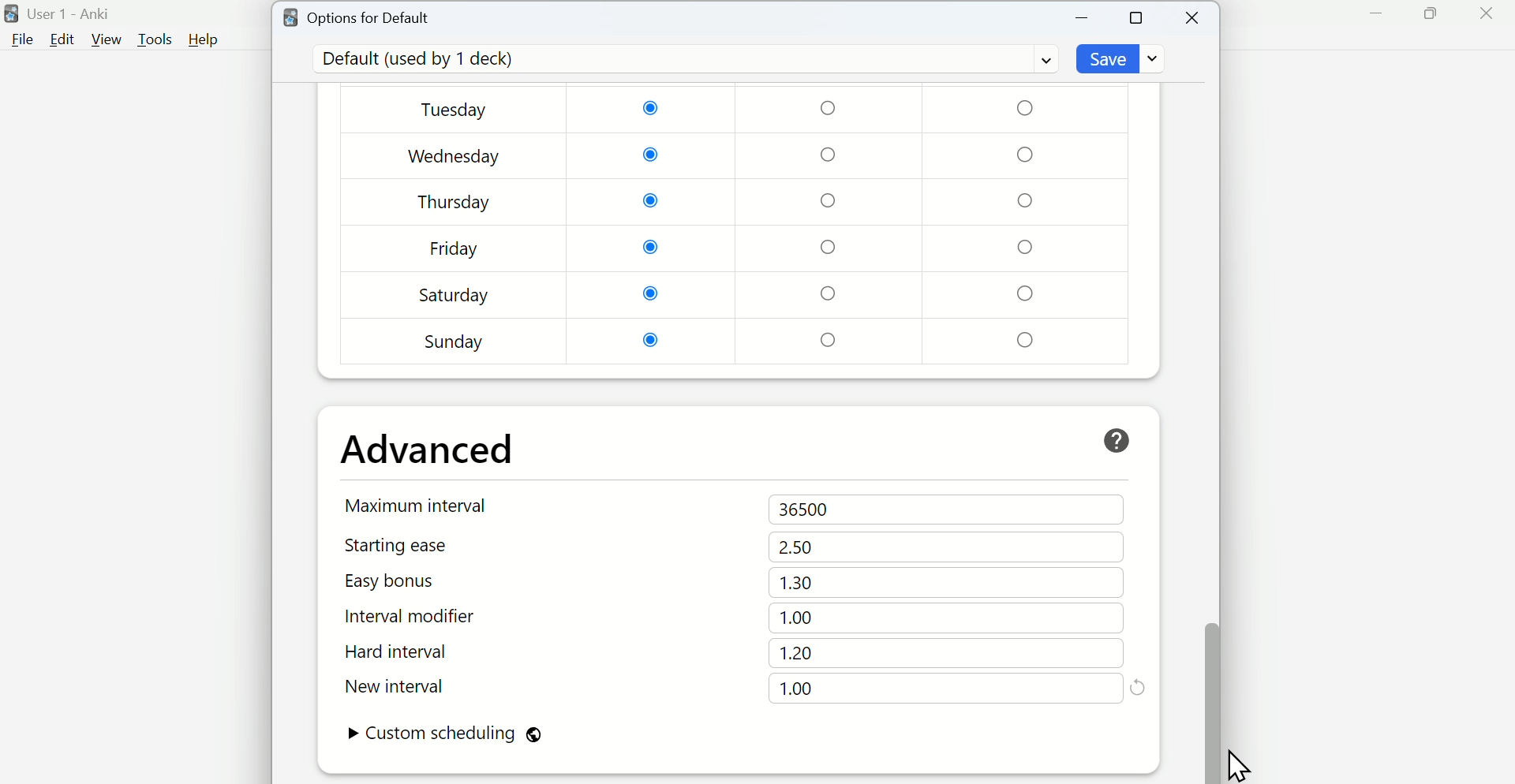 The image size is (1515, 784). What do you see at coordinates (455, 342) in the screenshot?
I see `Sunday` at bounding box center [455, 342].